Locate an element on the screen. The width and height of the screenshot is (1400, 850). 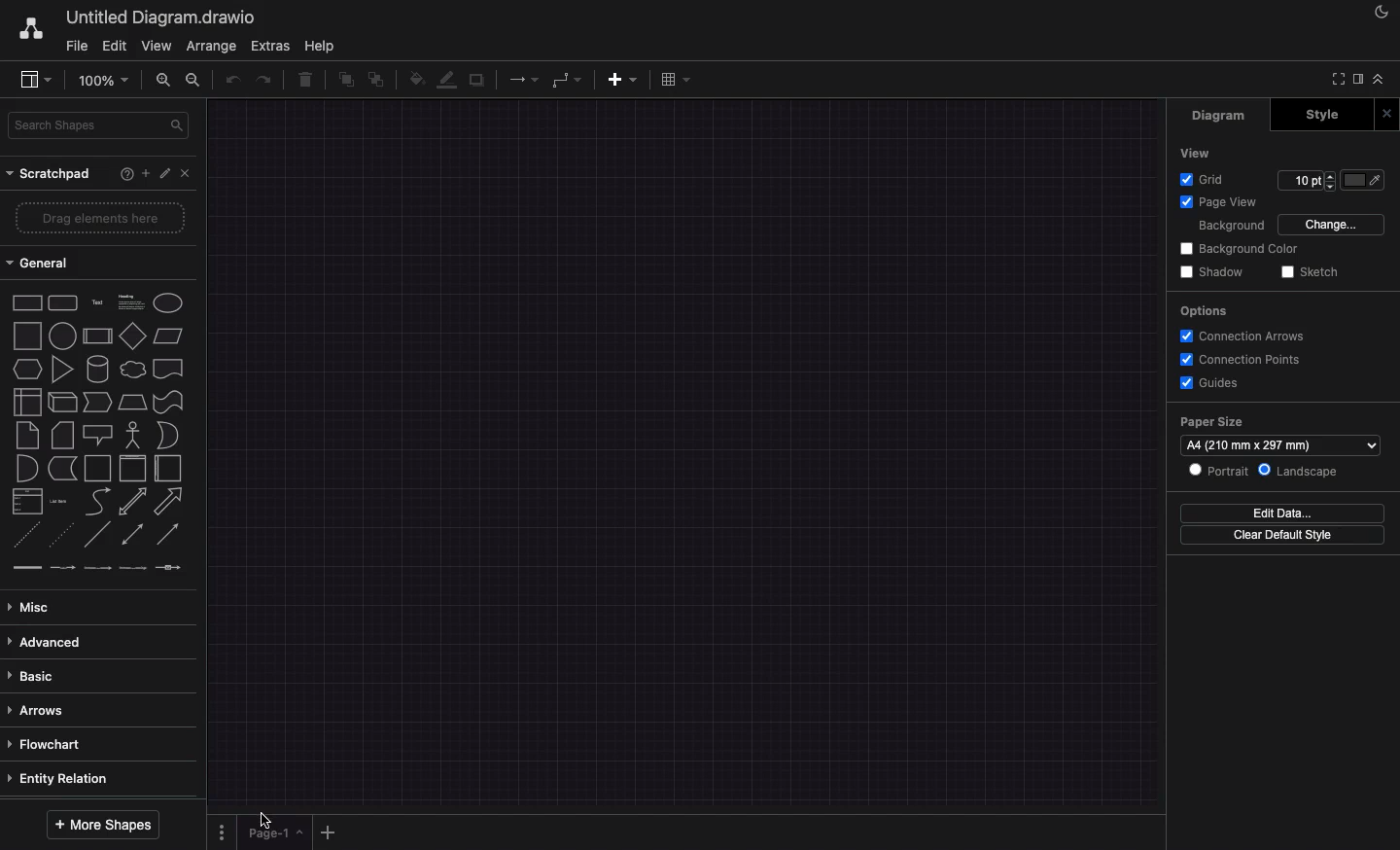
edit data is located at coordinates (1282, 514).